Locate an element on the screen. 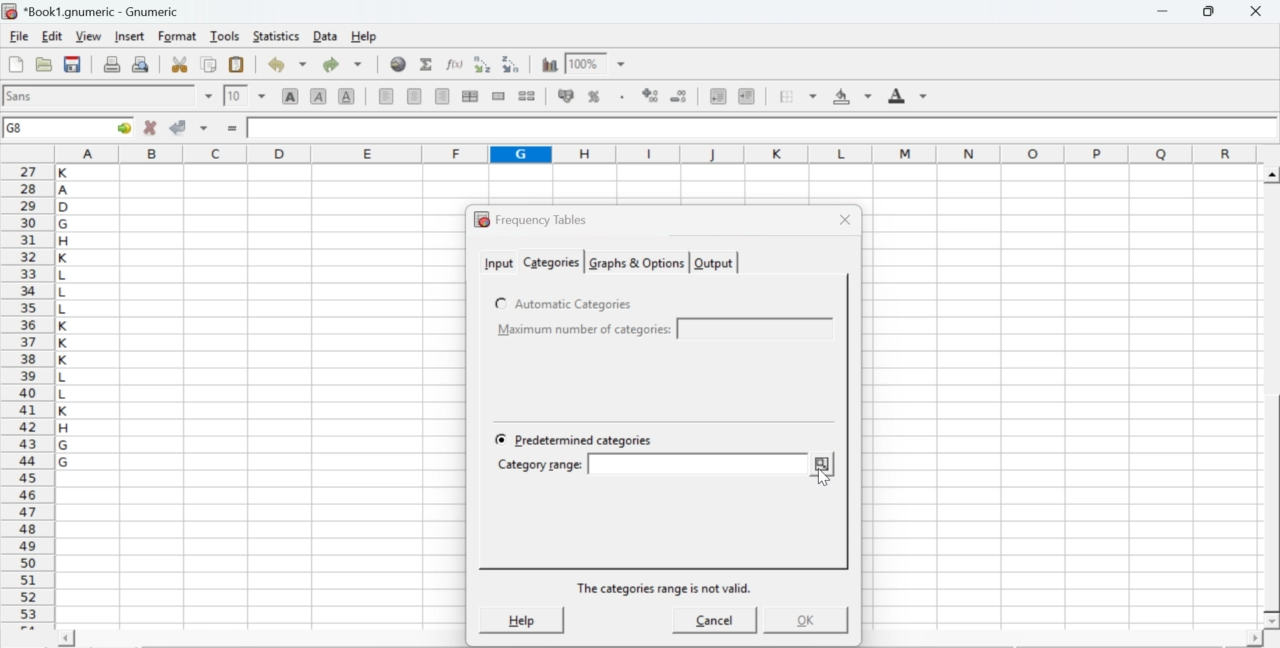 This screenshot has height=648, width=1280. merge a range of cells is located at coordinates (499, 96).